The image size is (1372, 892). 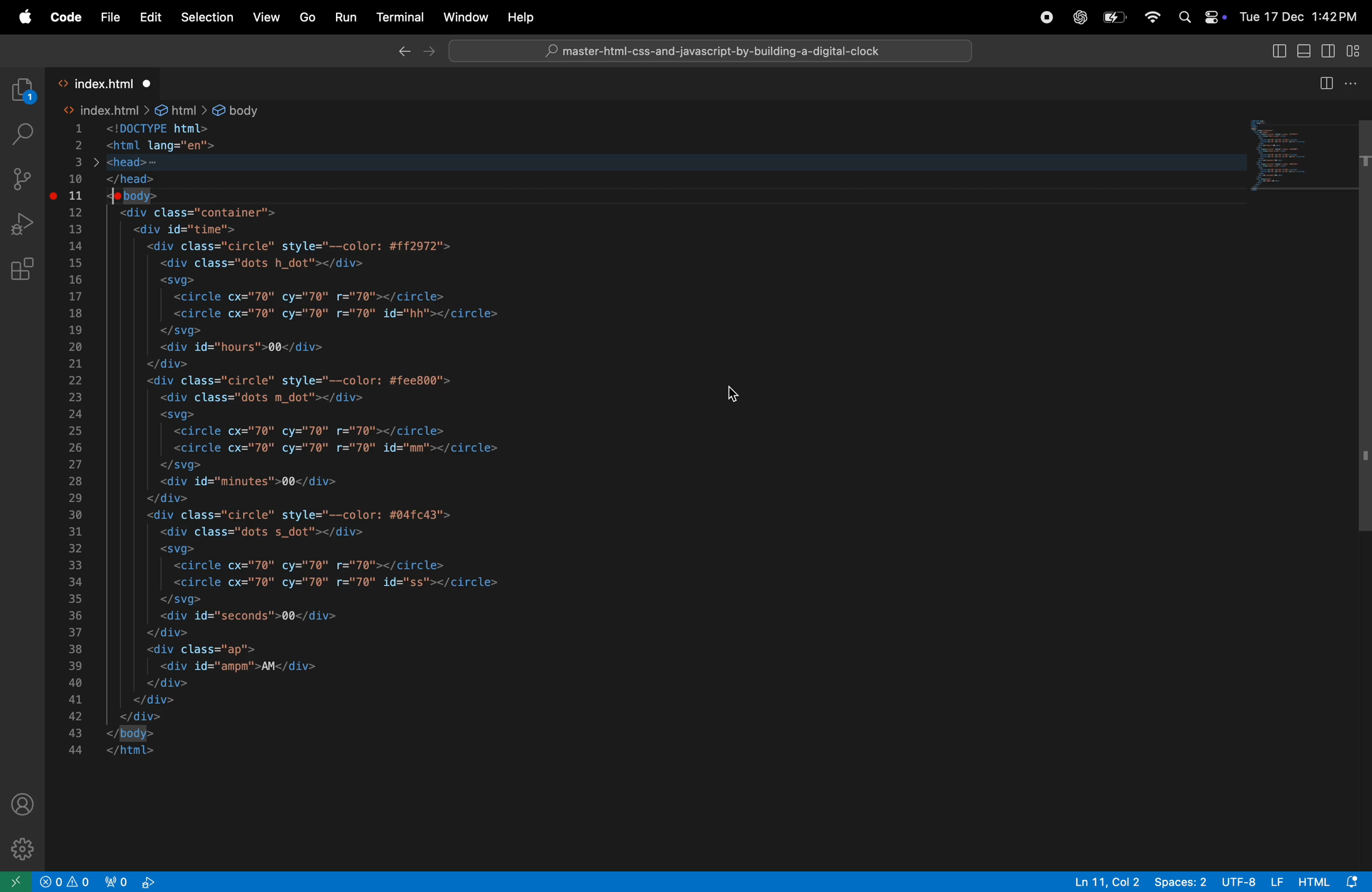 I want to click on Code, so click(x=68, y=18).